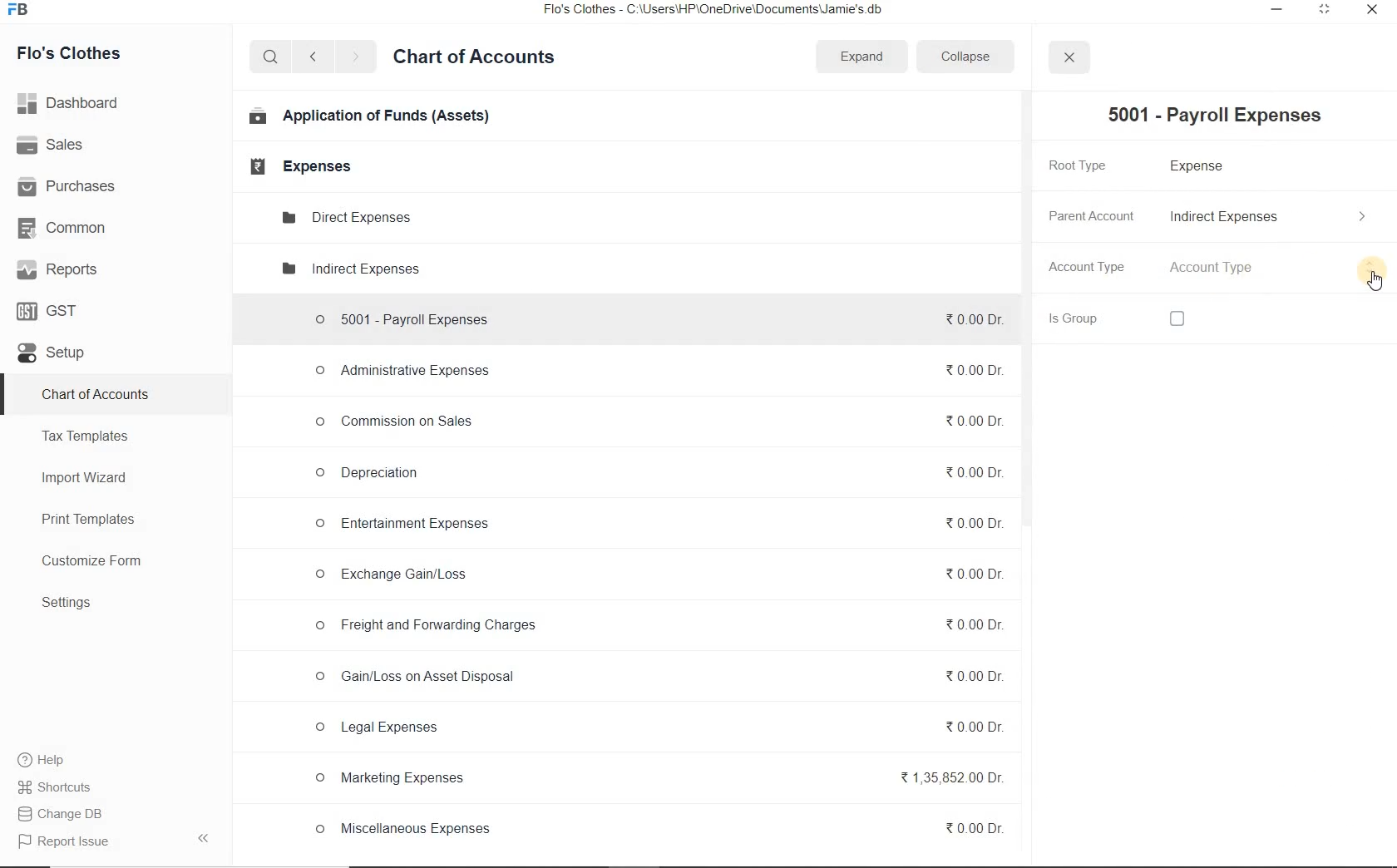 This screenshot has height=868, width=1397. I want to click on Is Group, so click(1091, 318).